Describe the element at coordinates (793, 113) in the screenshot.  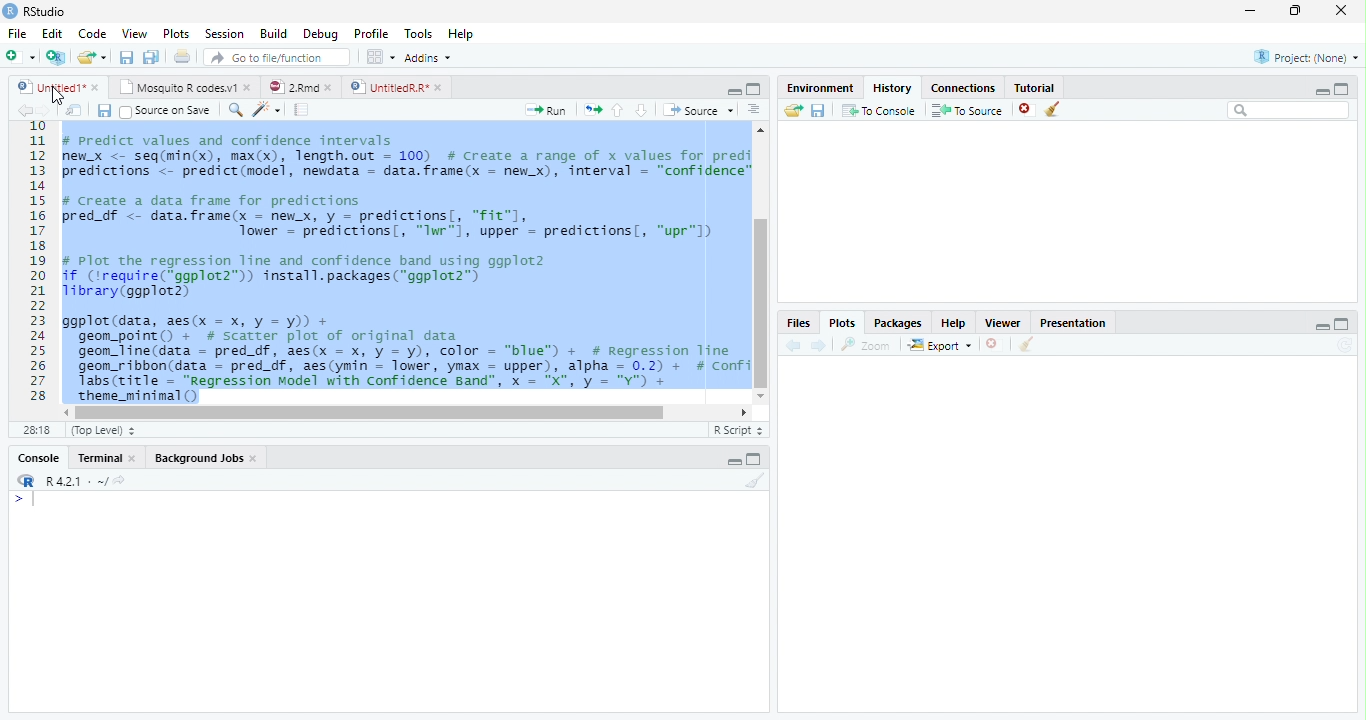
I see `Load workspace` at that location.